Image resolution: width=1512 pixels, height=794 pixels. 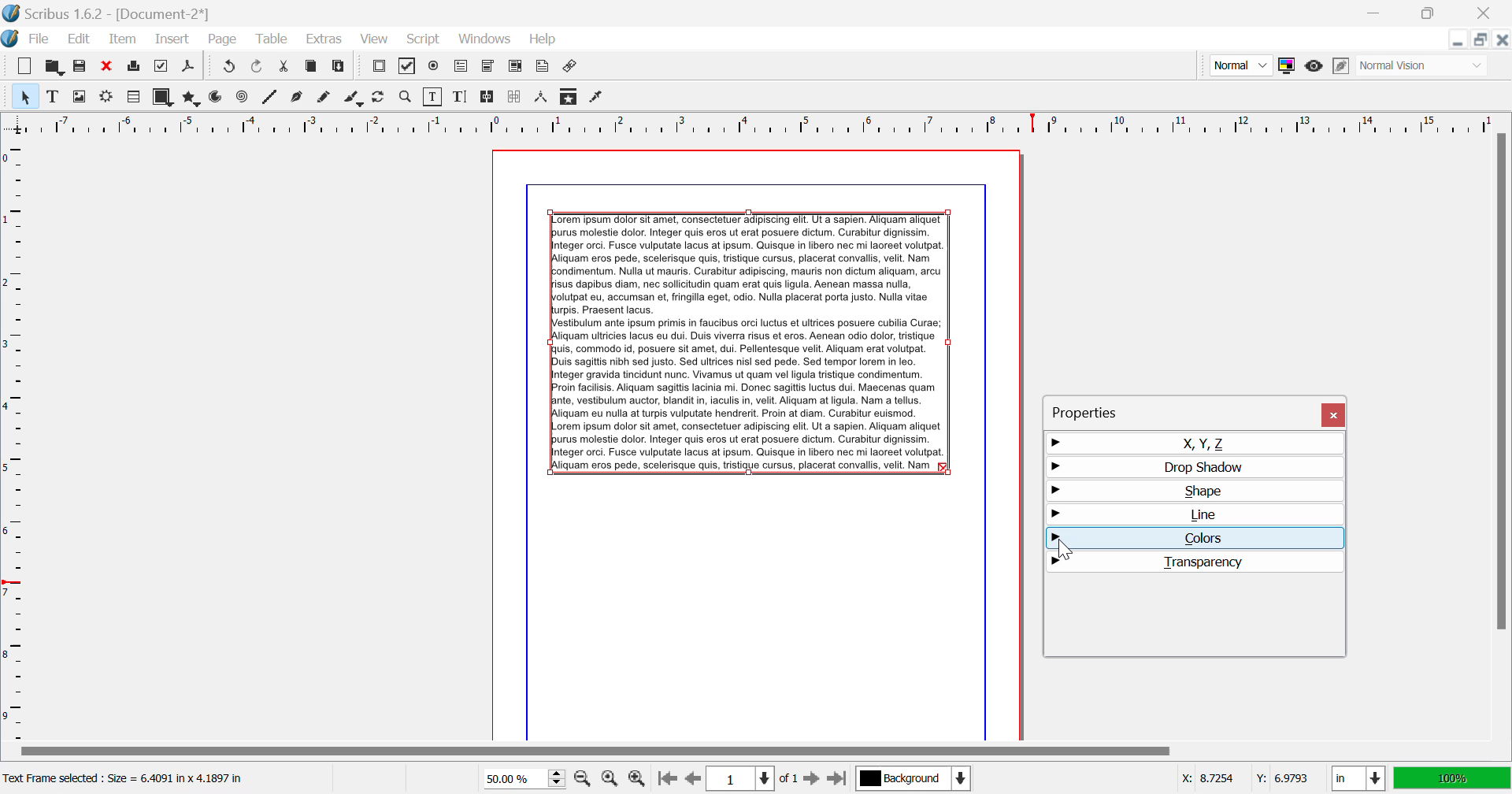 I want to click on Cursor Coordinates, so click(x=1244, y=779).